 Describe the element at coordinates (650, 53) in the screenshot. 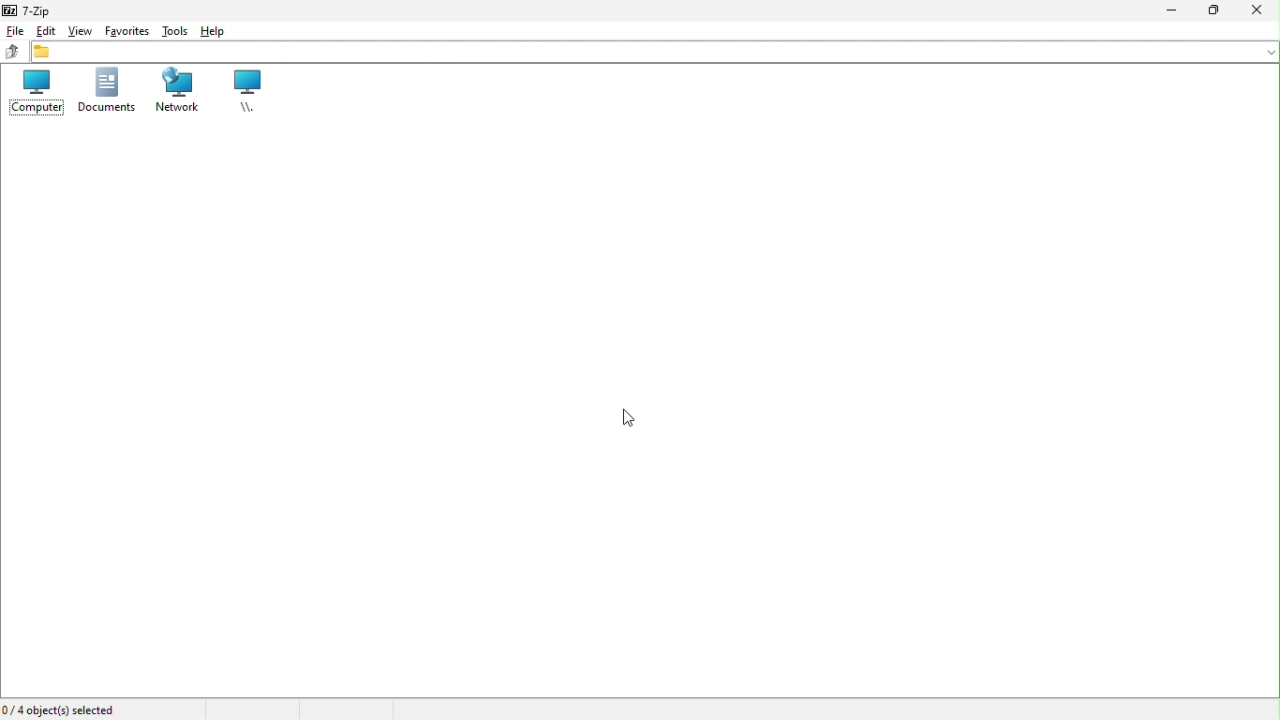

I see `file address bar` at that location.